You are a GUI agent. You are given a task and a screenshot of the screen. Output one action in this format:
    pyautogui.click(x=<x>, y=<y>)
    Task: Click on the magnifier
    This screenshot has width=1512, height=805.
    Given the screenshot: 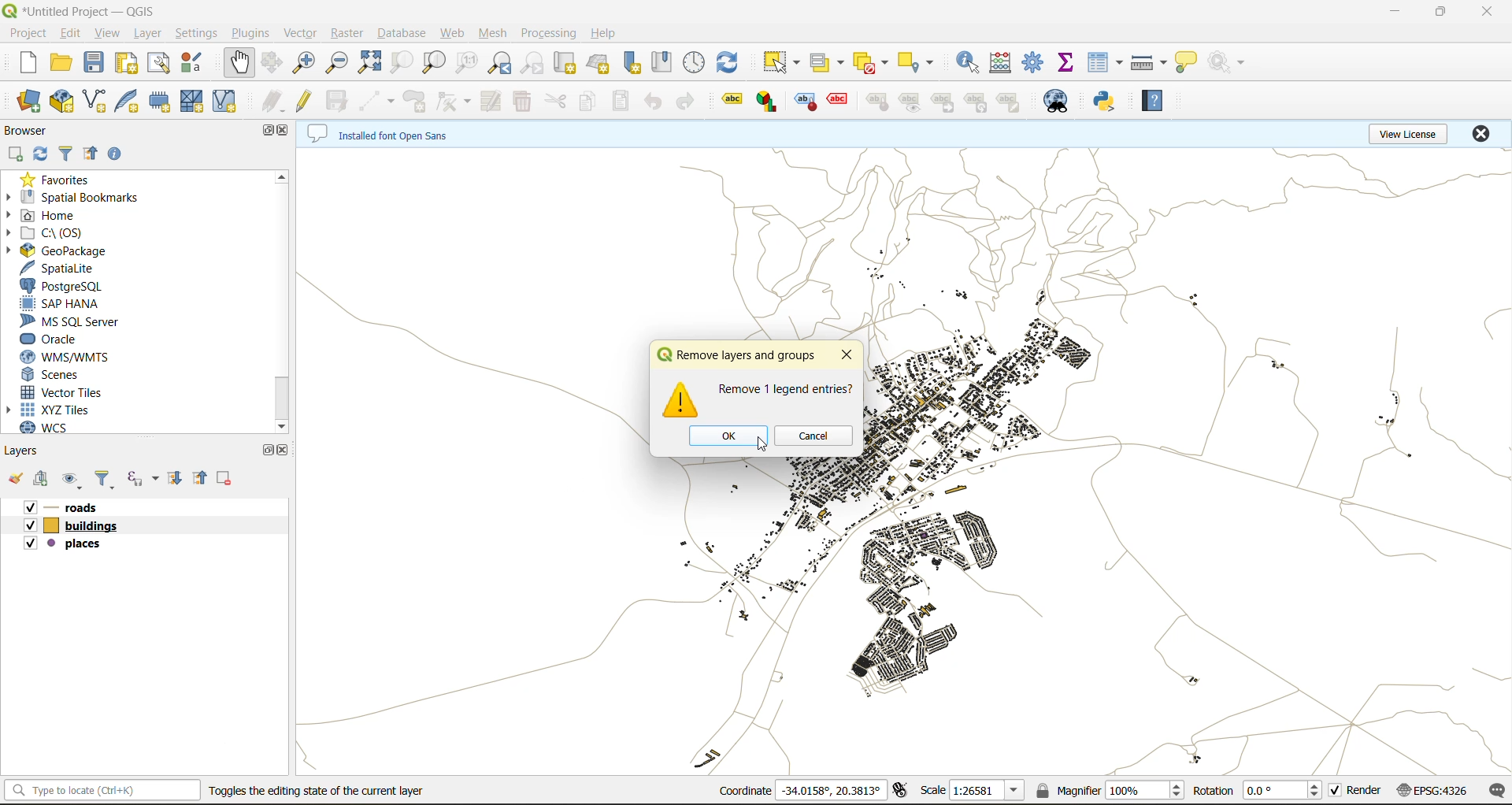 What is the action you would take?
    pyautogui.click(x=1110, y=793)
    